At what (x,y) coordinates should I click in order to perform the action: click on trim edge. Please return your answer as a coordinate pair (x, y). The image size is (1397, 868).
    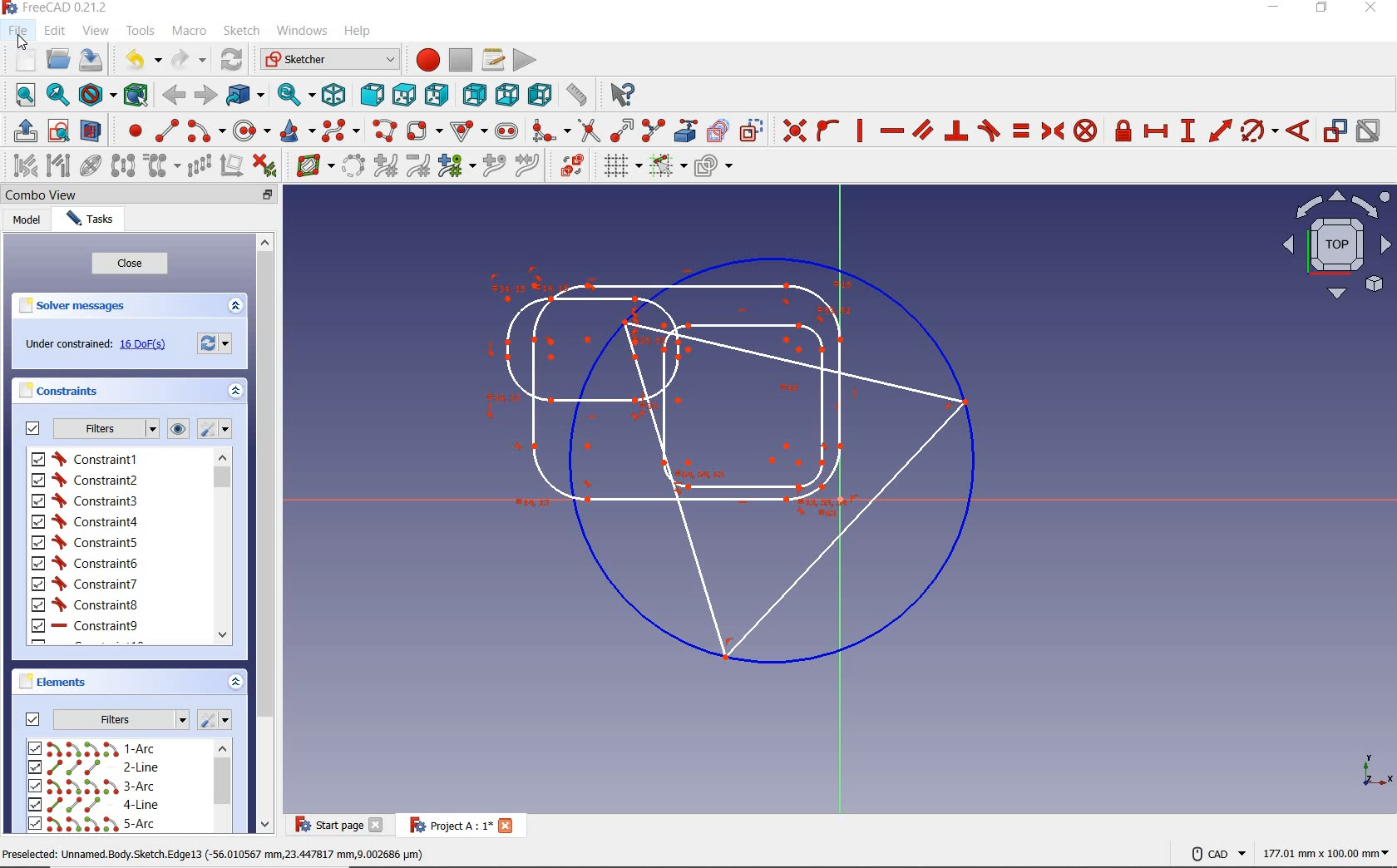
    Looking at the image, I should click on (586, 130).